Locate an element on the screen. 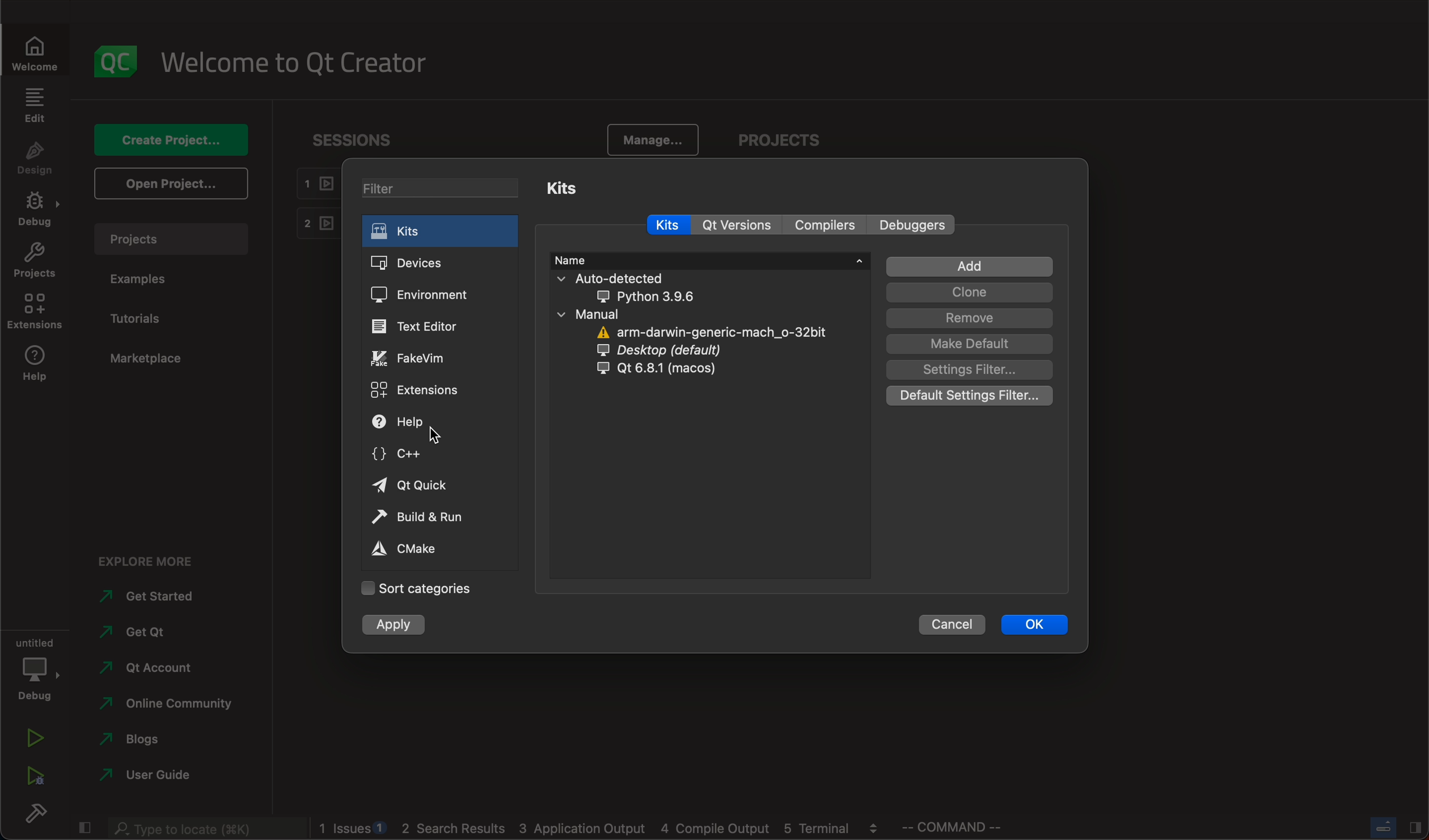  darwin is located at coordinates (716, 333).